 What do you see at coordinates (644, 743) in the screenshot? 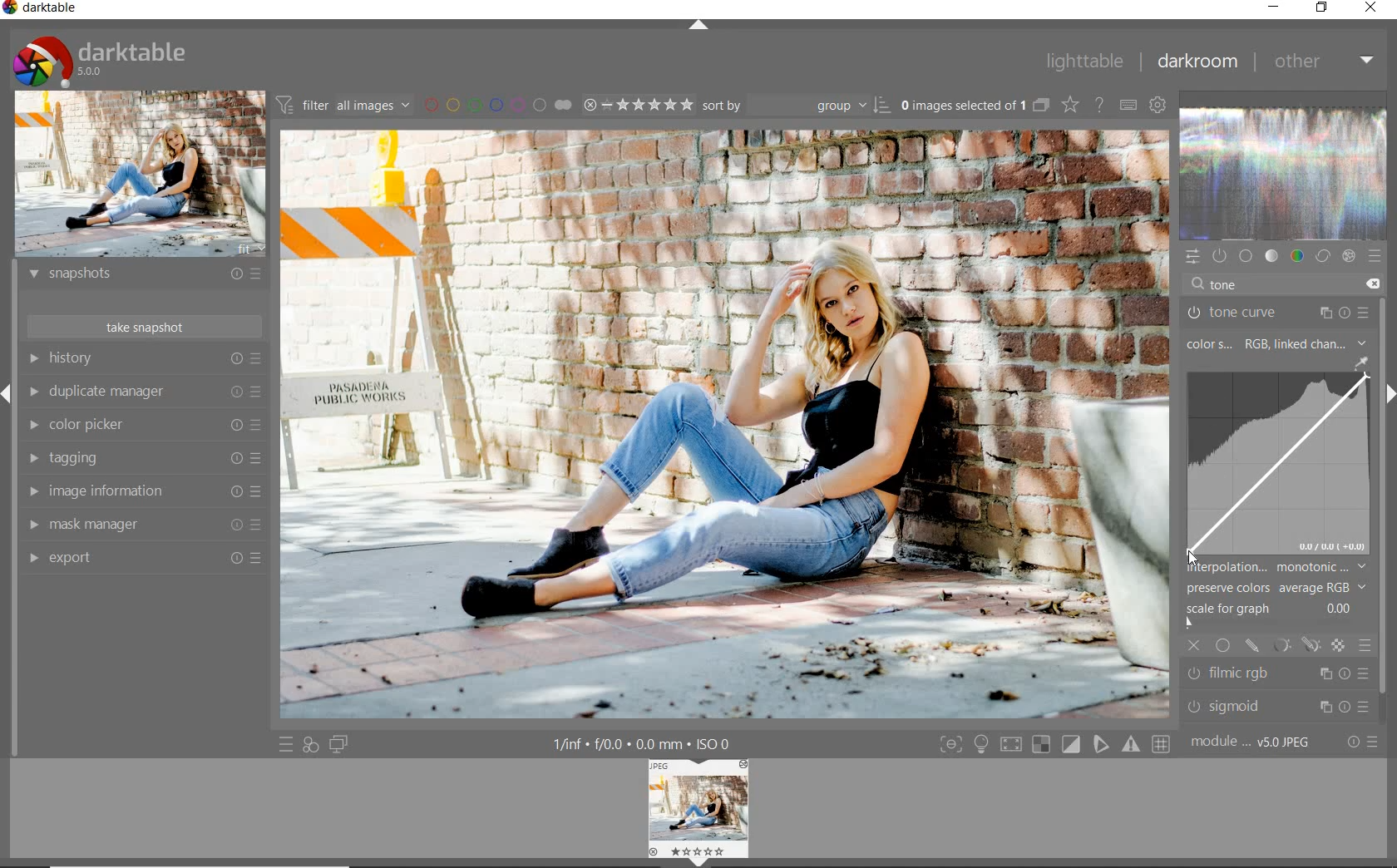
I see `other display information` at bounding box center [644, 743].